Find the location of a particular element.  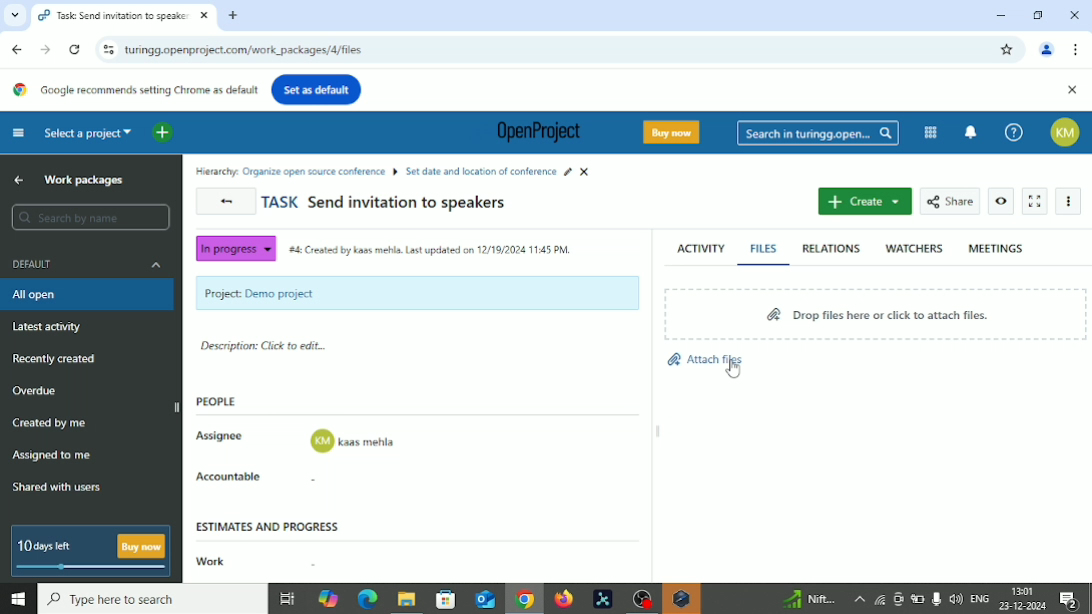

Watch work package is located at coordinates (1002, 201).